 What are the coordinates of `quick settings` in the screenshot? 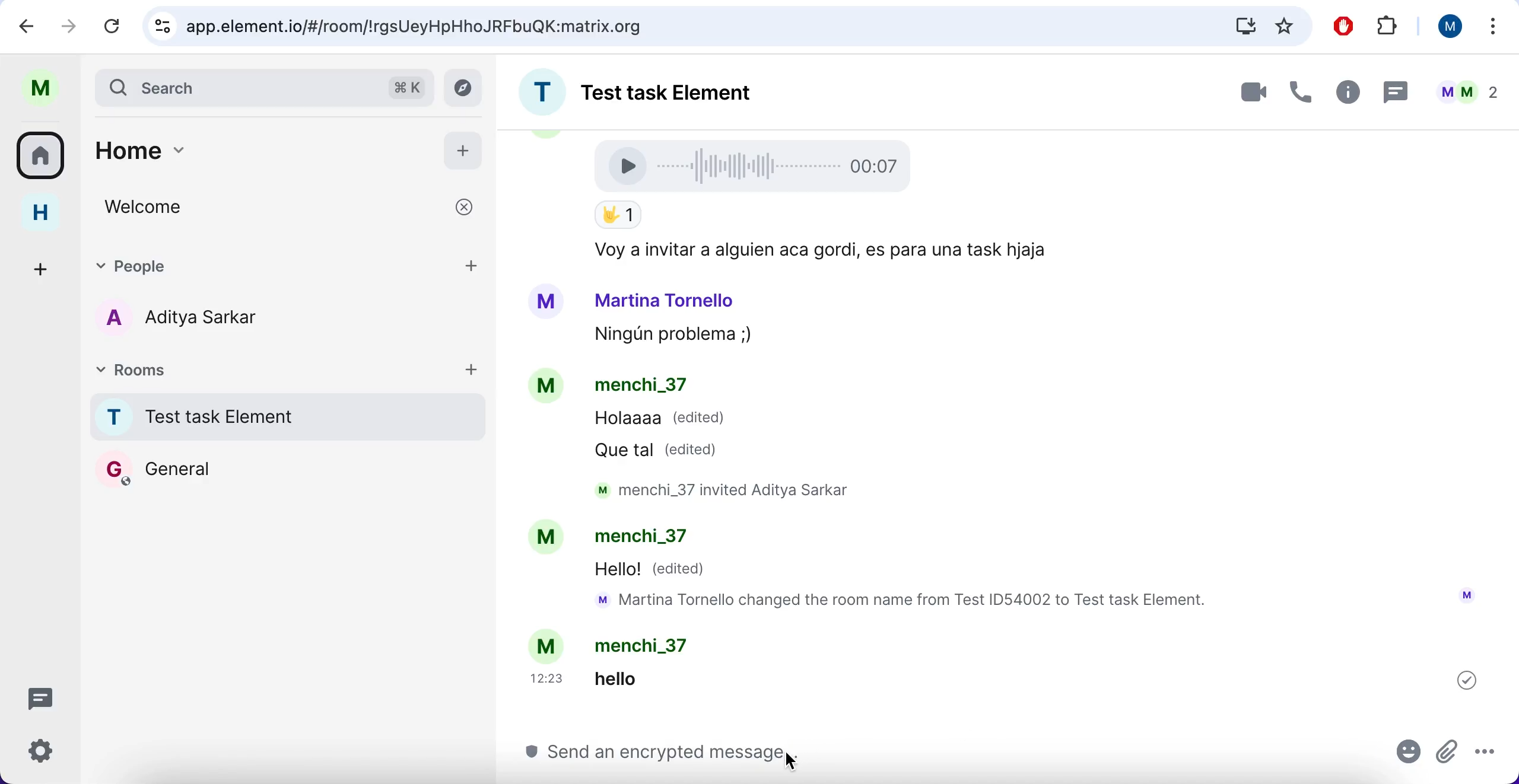 It's located at (49, 755).